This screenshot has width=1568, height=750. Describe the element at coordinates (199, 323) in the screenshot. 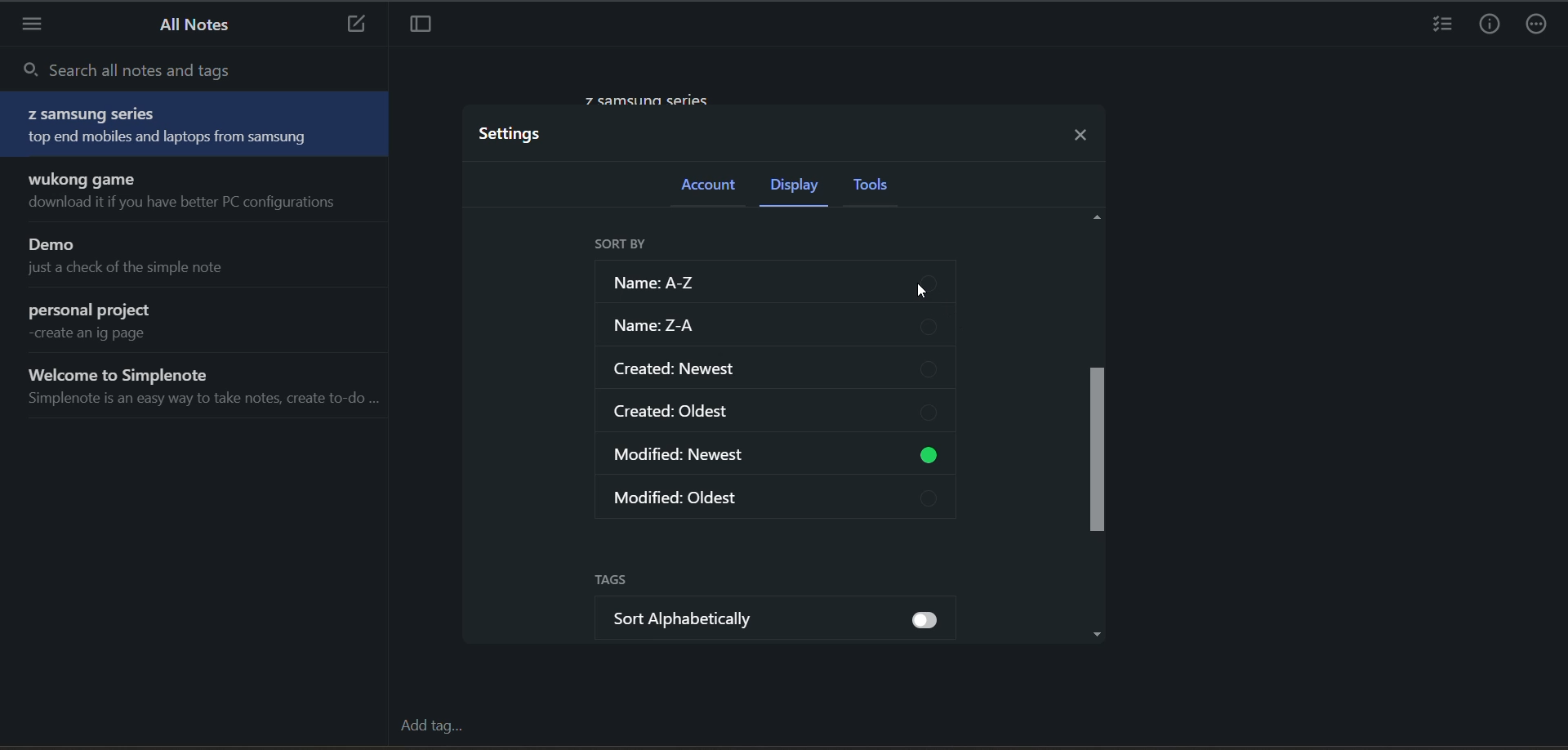

I see `personal project create an ig page` at that location.